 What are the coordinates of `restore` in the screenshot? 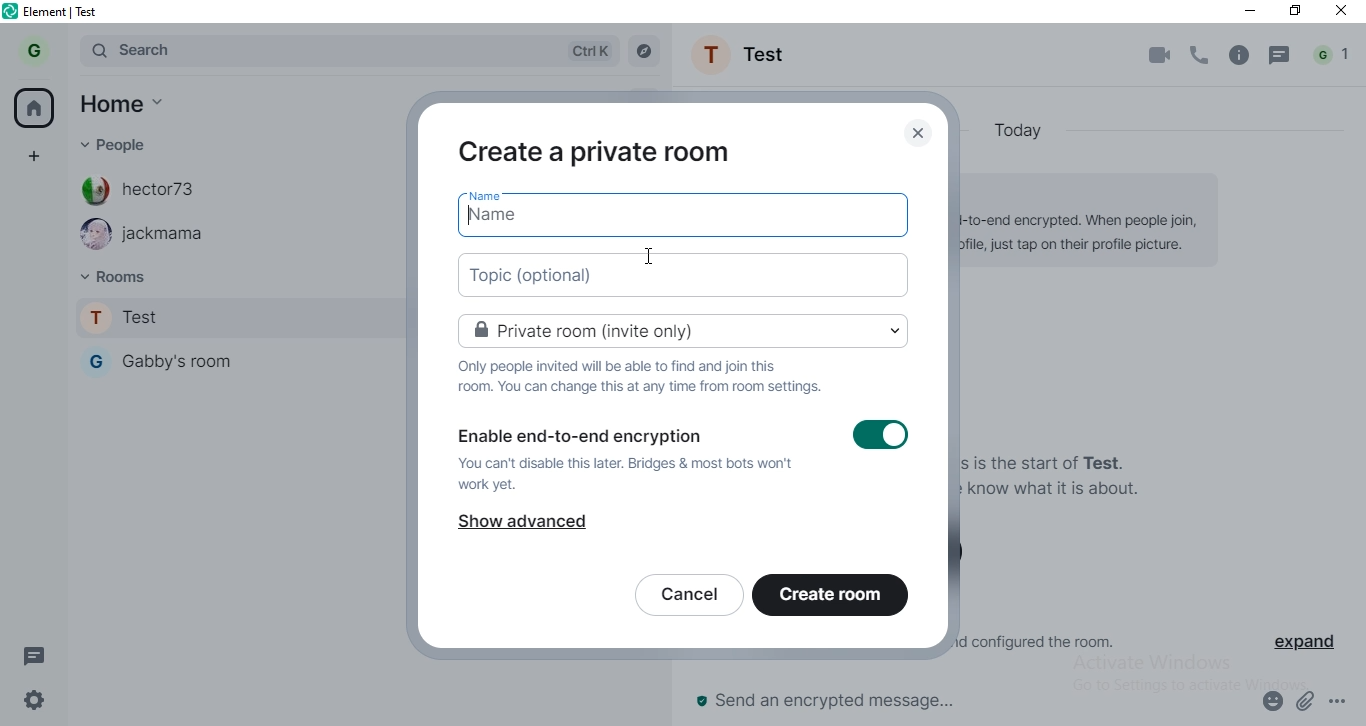 It's located at (1297, 11).